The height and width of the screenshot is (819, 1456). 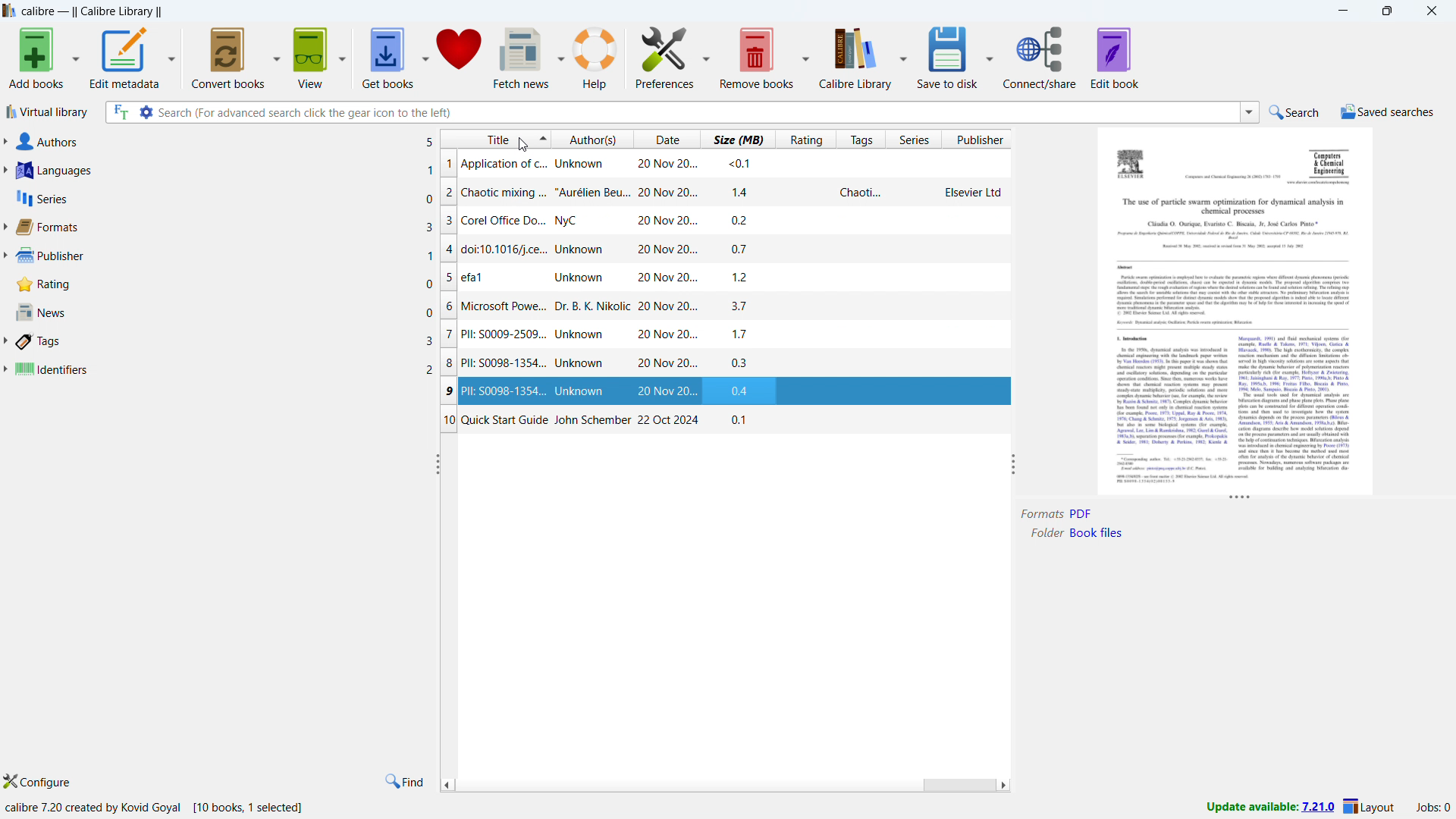 What do you see at coordinates (744, 190) in the screenshot?
I see `14` at bounding box center [744, 190].